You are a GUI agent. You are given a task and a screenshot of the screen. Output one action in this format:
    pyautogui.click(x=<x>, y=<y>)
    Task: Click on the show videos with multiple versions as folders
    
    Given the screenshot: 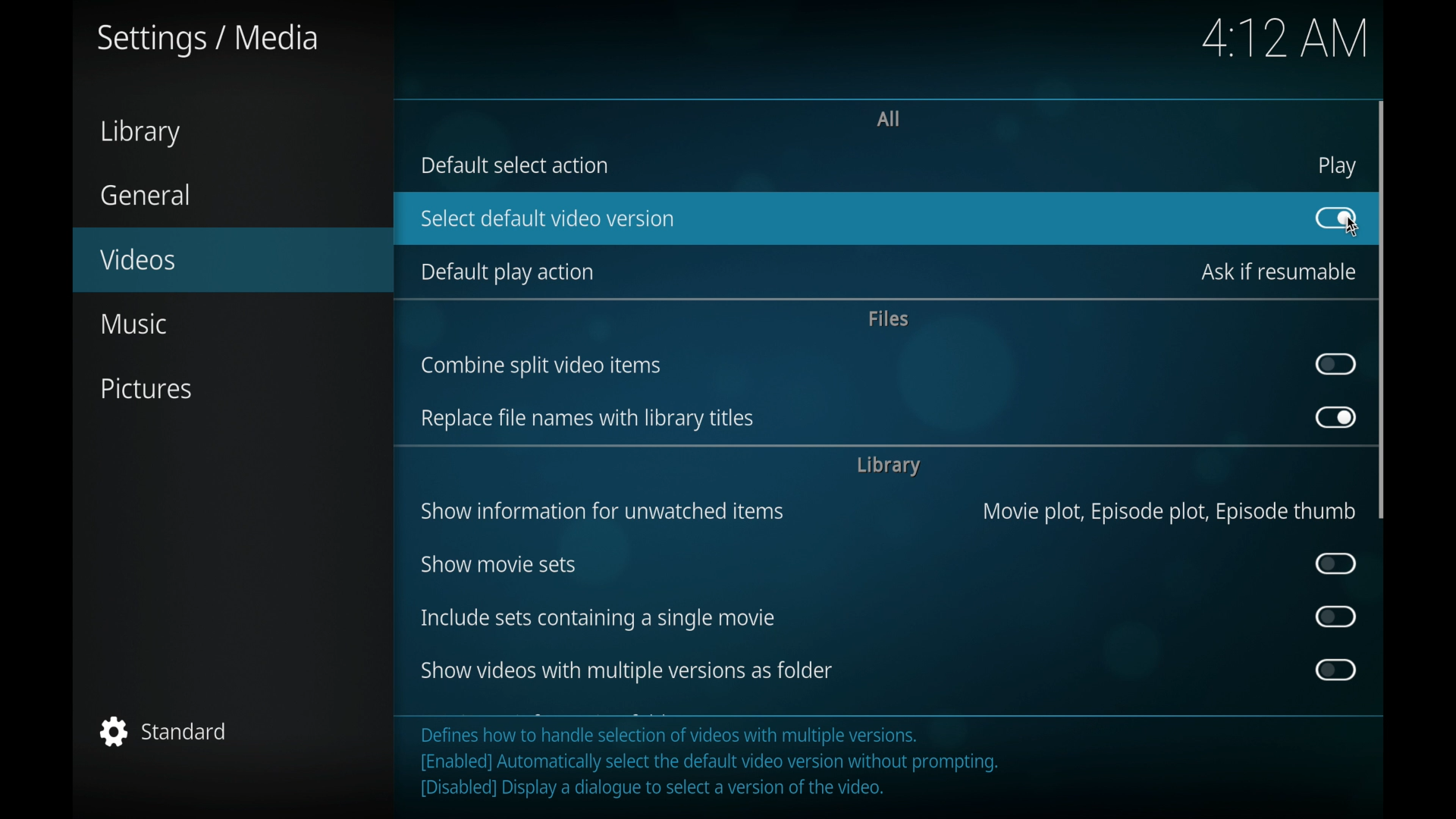 What is the action you would take?
    pyautogui.click(x=624, y=671)
    